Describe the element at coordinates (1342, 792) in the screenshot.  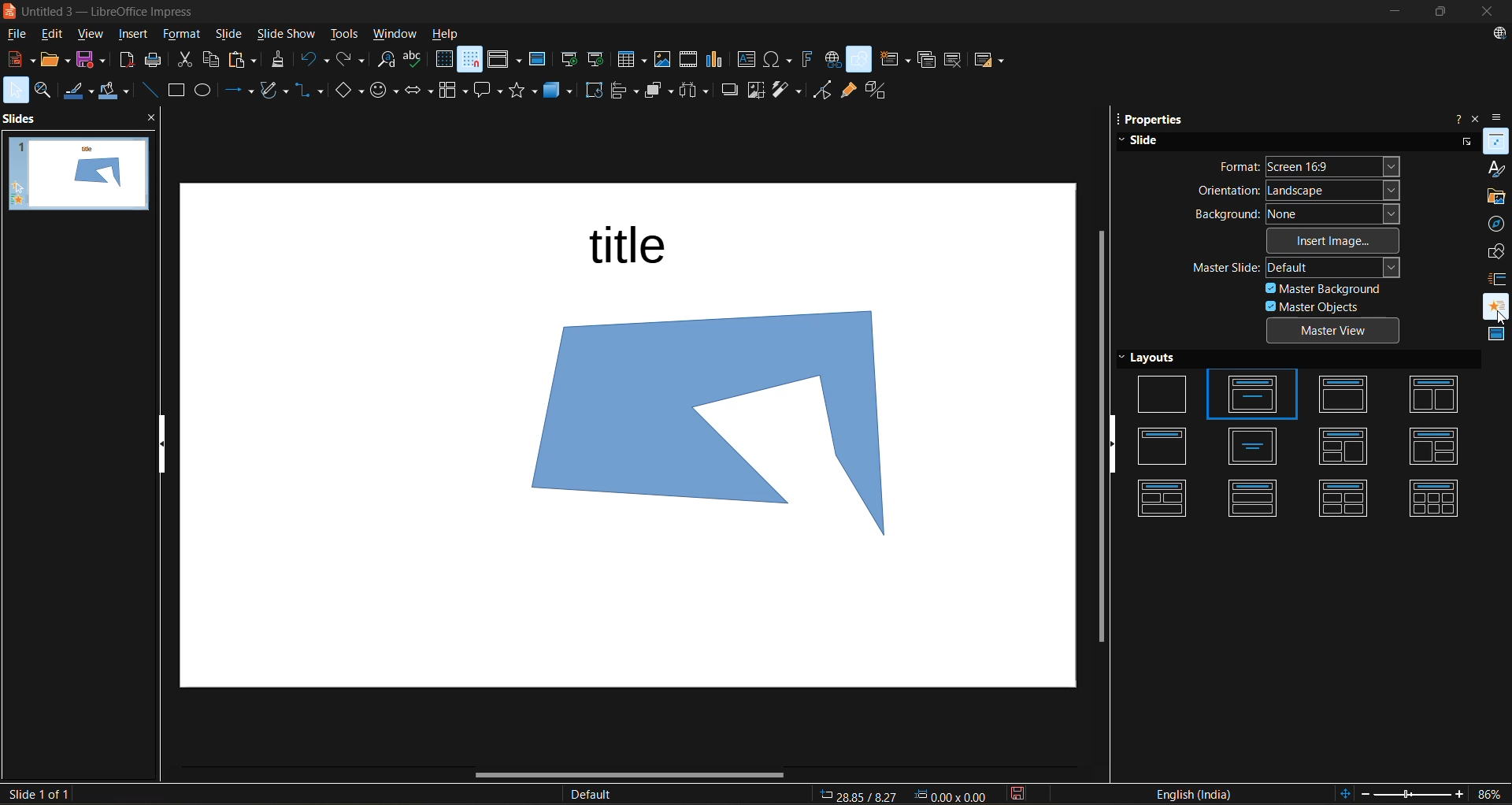
I see `fit to slide` at that location.